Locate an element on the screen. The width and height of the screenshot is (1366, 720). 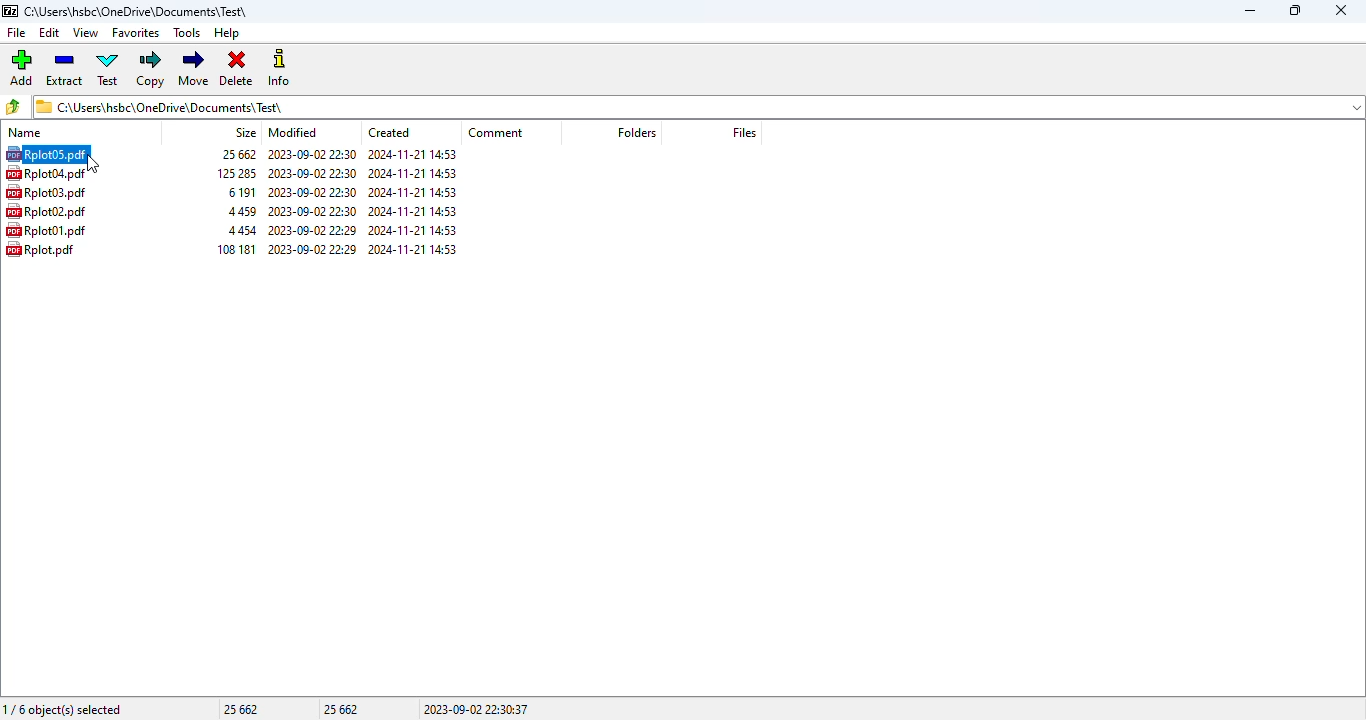
rplot01 is located at coordinates (47, 230).